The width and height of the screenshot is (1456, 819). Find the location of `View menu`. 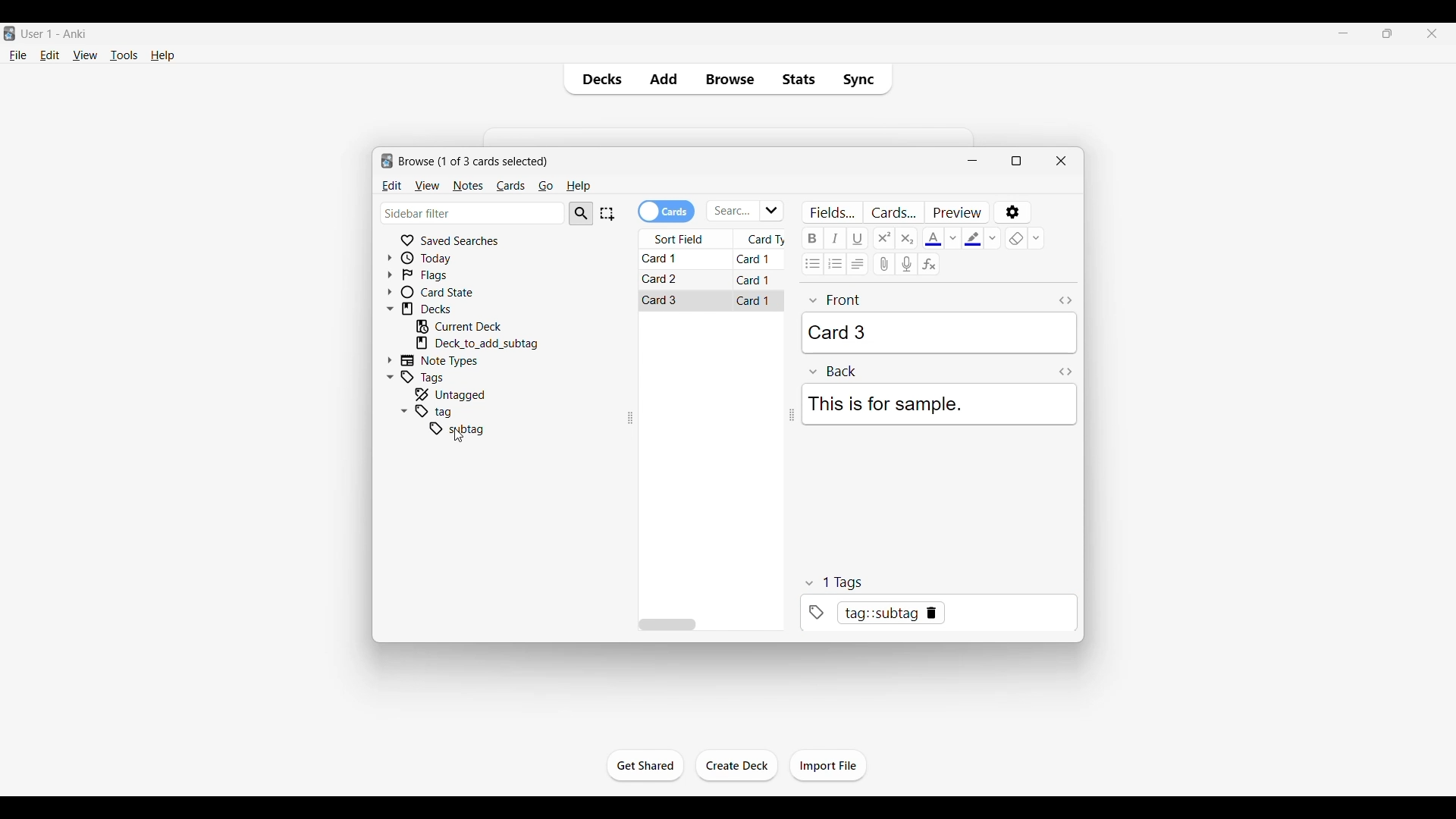

View menu is located at coordinates (86, 55).